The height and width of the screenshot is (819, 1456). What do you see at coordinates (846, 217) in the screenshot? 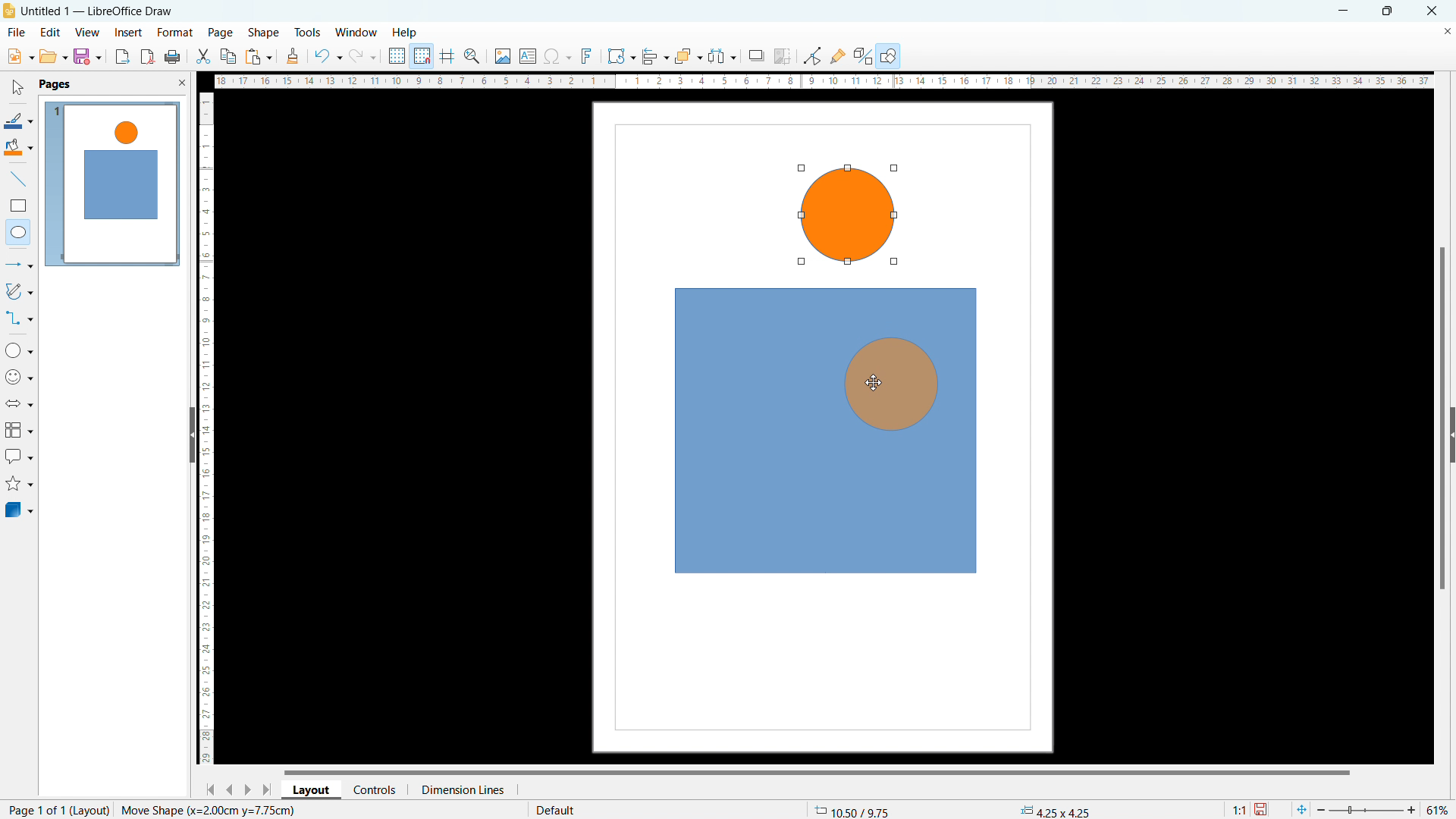
I see `object 2 drawing complete` at bounding box center [846, 217].